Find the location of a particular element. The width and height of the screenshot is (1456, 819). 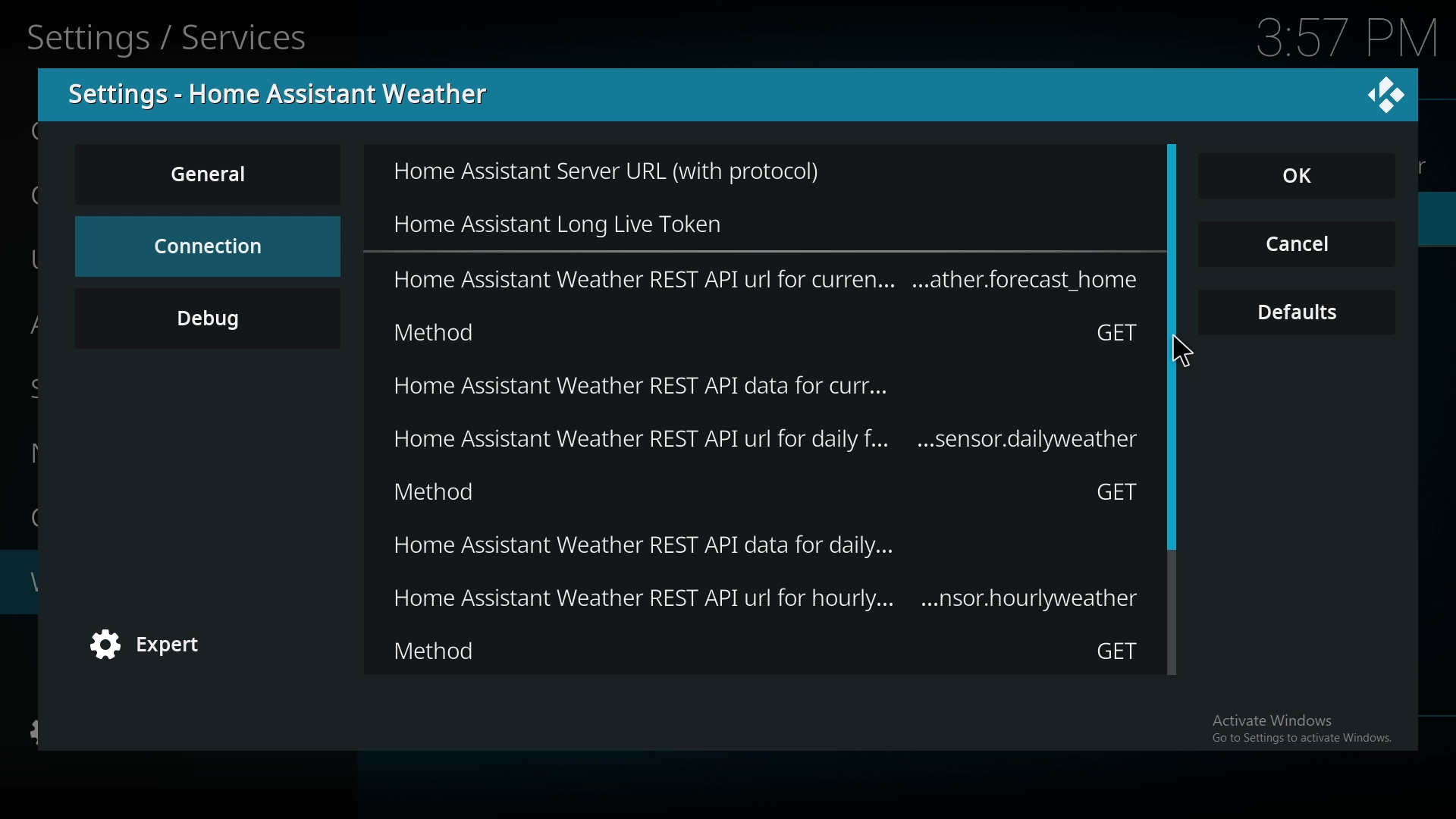

home assistant weather rest api url for curren.. is located at coordinates (767, 279).